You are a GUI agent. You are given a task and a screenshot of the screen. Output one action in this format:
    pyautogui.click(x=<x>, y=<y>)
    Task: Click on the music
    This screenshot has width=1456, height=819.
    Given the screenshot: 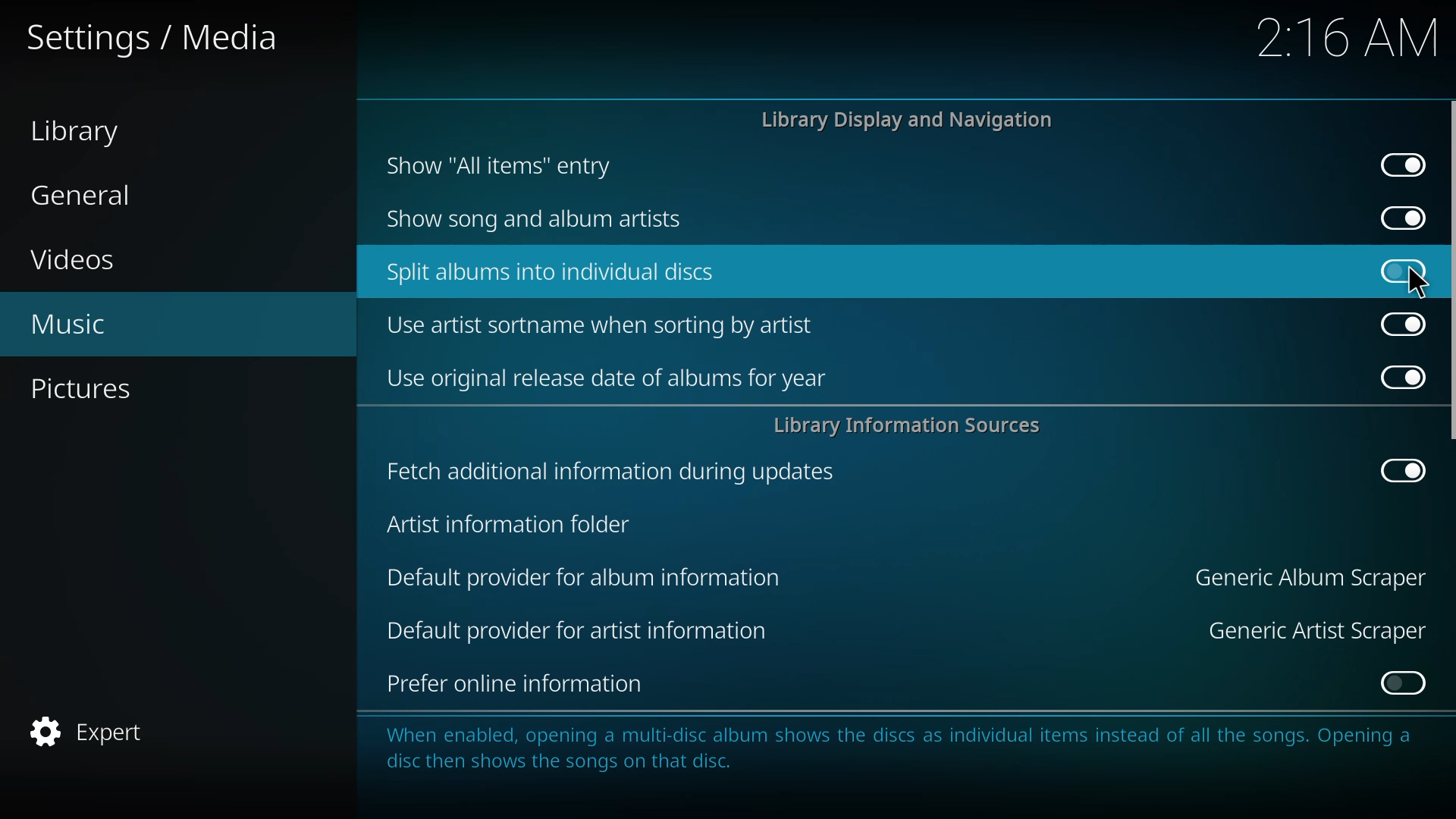 What is the action you would take?
    pyautogui.click(x=77, y=325)
    